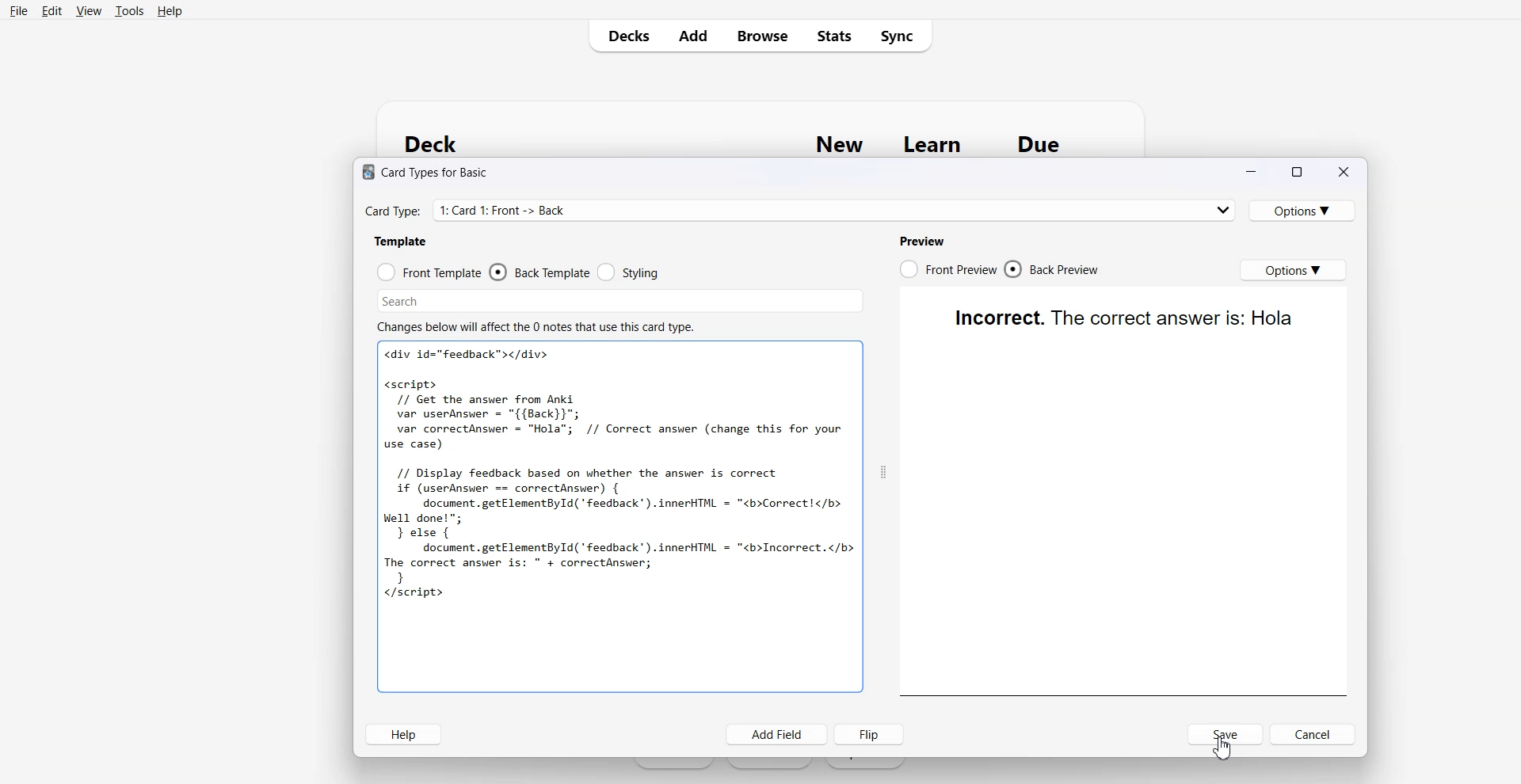 This screenshot has height=784, width=1521. What do you see at coordinates (1226, 734) in the screenshot?
I see `Save` at bounding box center [1226, 734].